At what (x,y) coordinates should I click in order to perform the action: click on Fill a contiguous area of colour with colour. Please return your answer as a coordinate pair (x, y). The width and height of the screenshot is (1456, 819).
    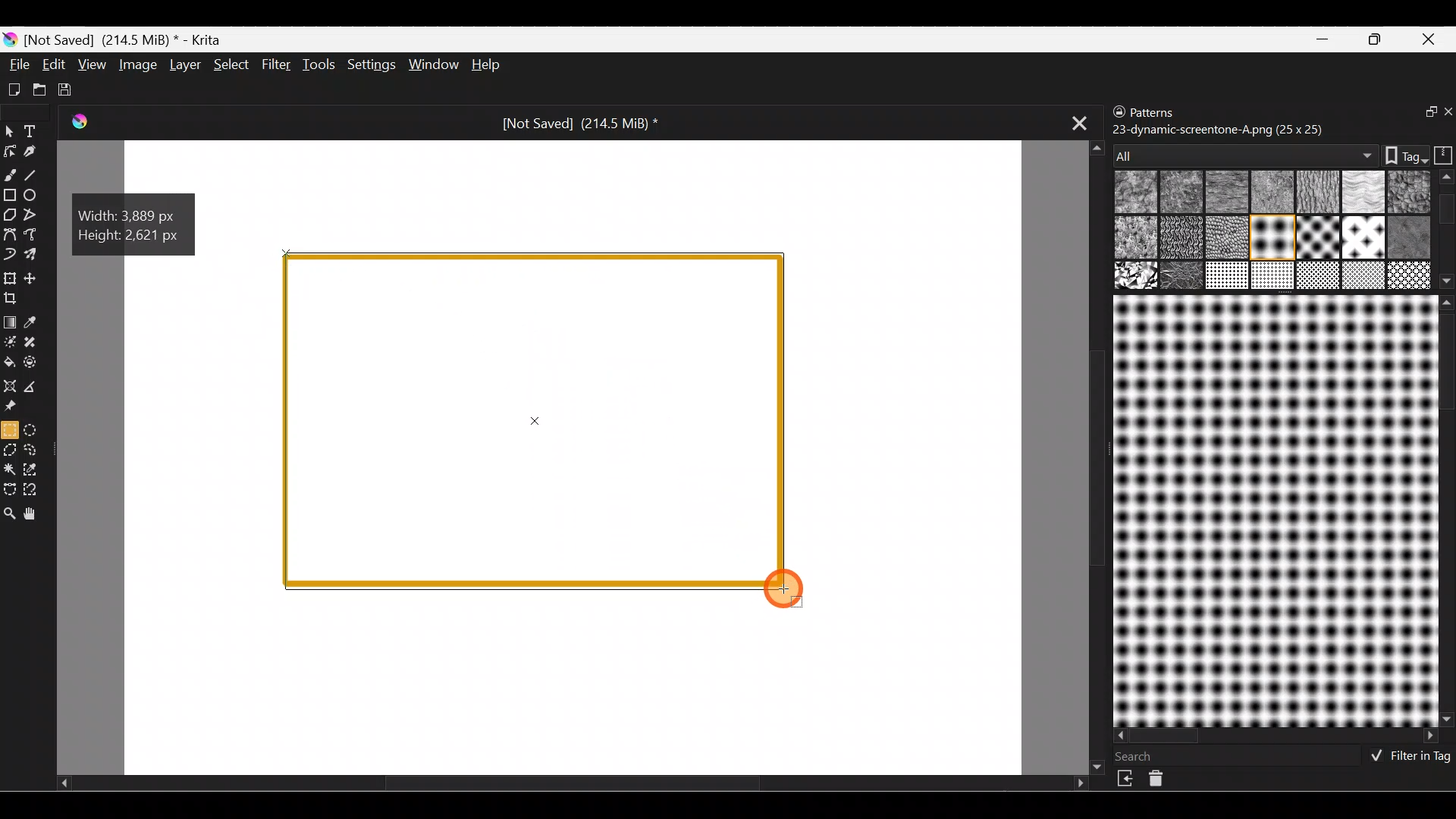
    Looking at the image, I should click on (10, 362).